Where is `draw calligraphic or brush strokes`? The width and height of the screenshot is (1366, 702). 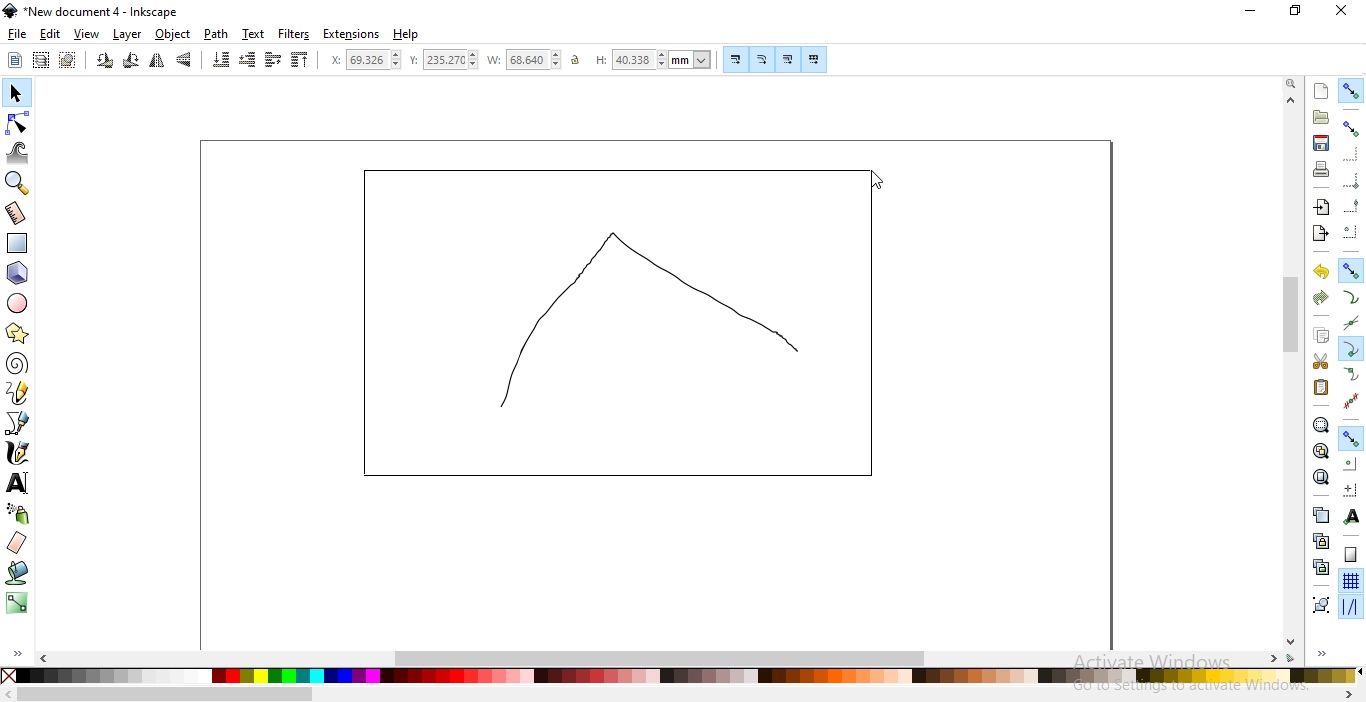
draw calligraphic or brush strokes is located at coordinates (19, 453).